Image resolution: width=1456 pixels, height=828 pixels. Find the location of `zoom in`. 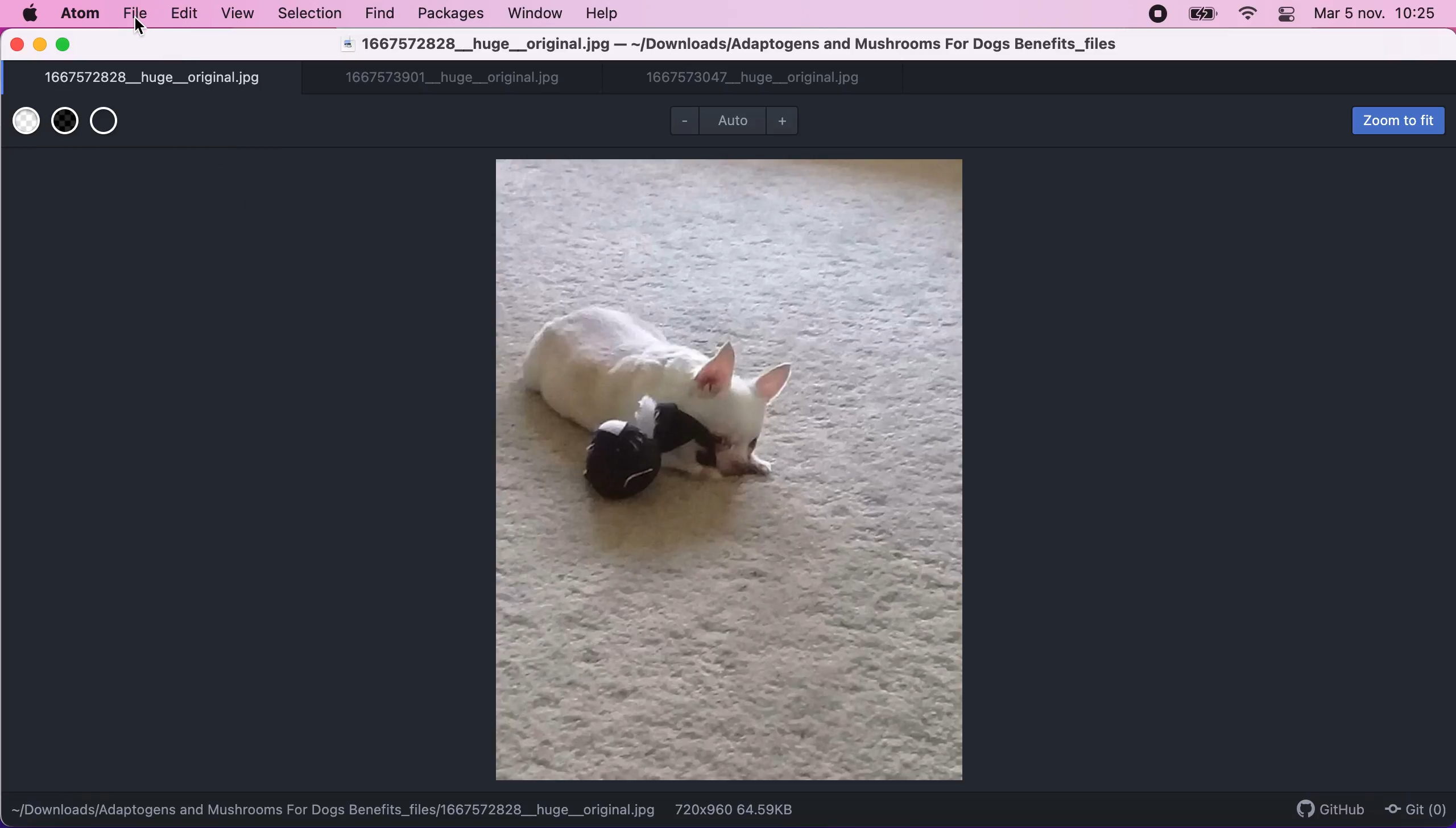

zoom in is located at coordinates (784, 122).